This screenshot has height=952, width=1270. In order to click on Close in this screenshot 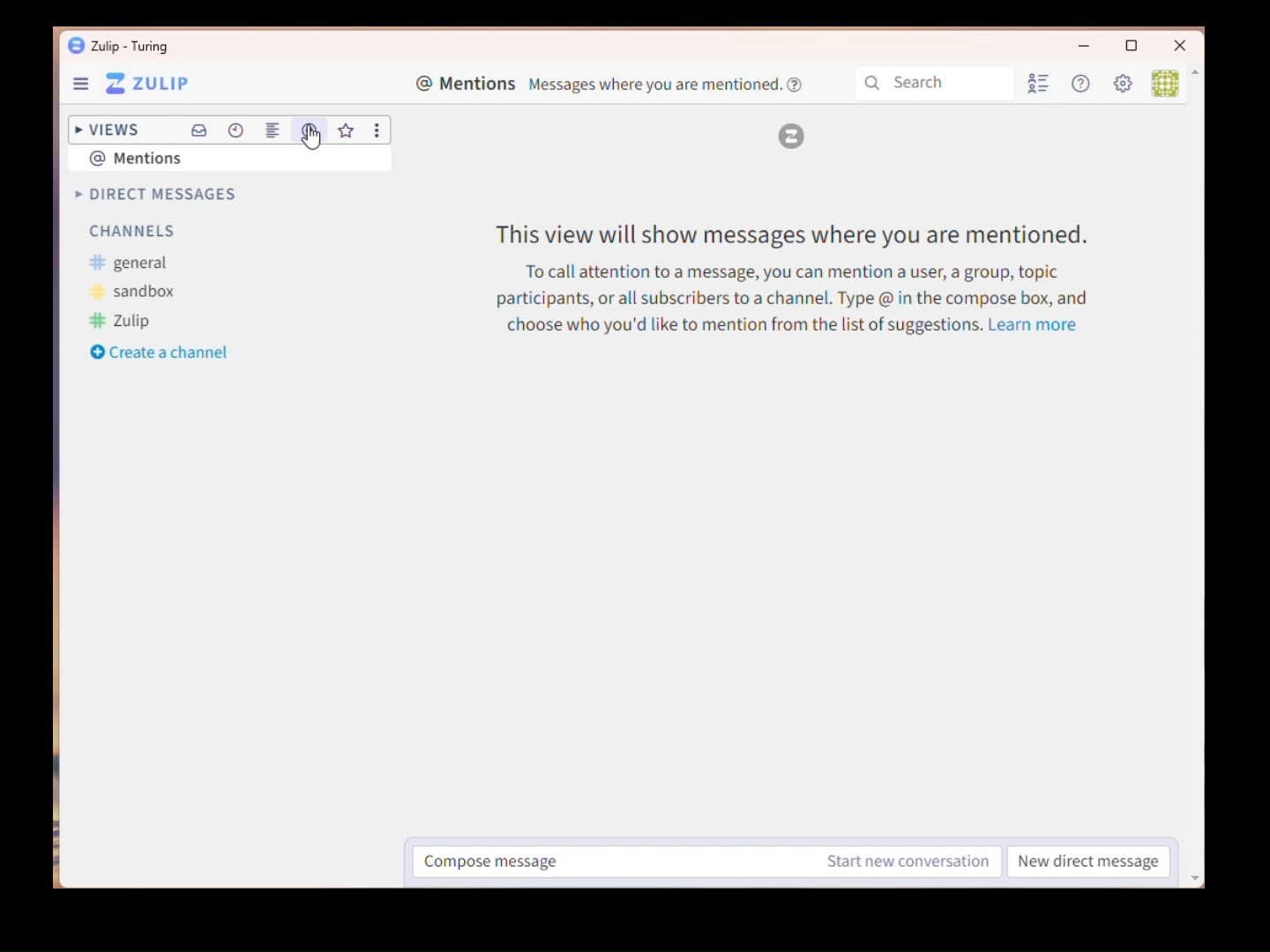, I will do `click(1180, 47)`.